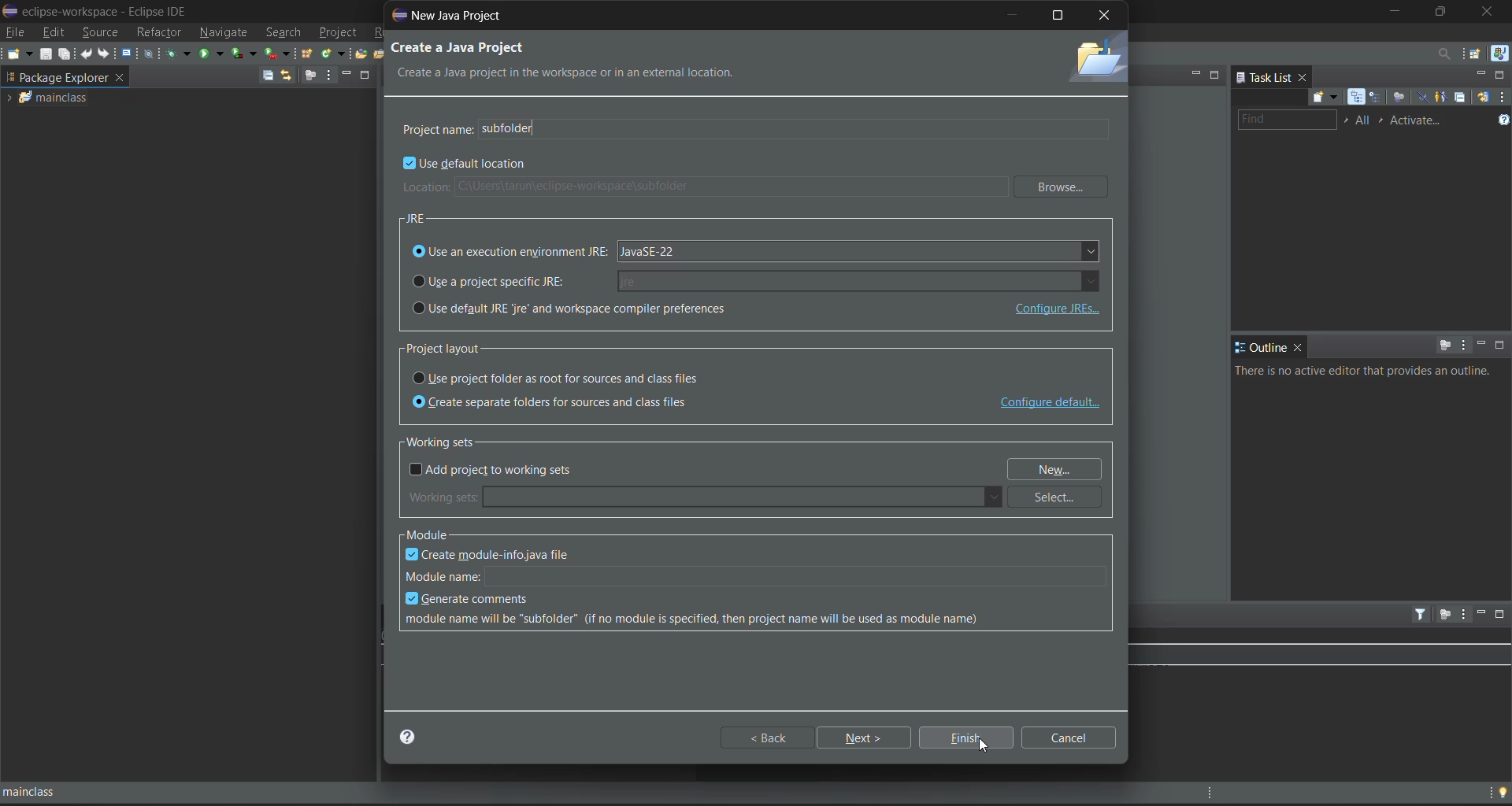  Describe the element at coordinates (1503, 120) in the screenshot. I see `show tasks UI legend` at that location.